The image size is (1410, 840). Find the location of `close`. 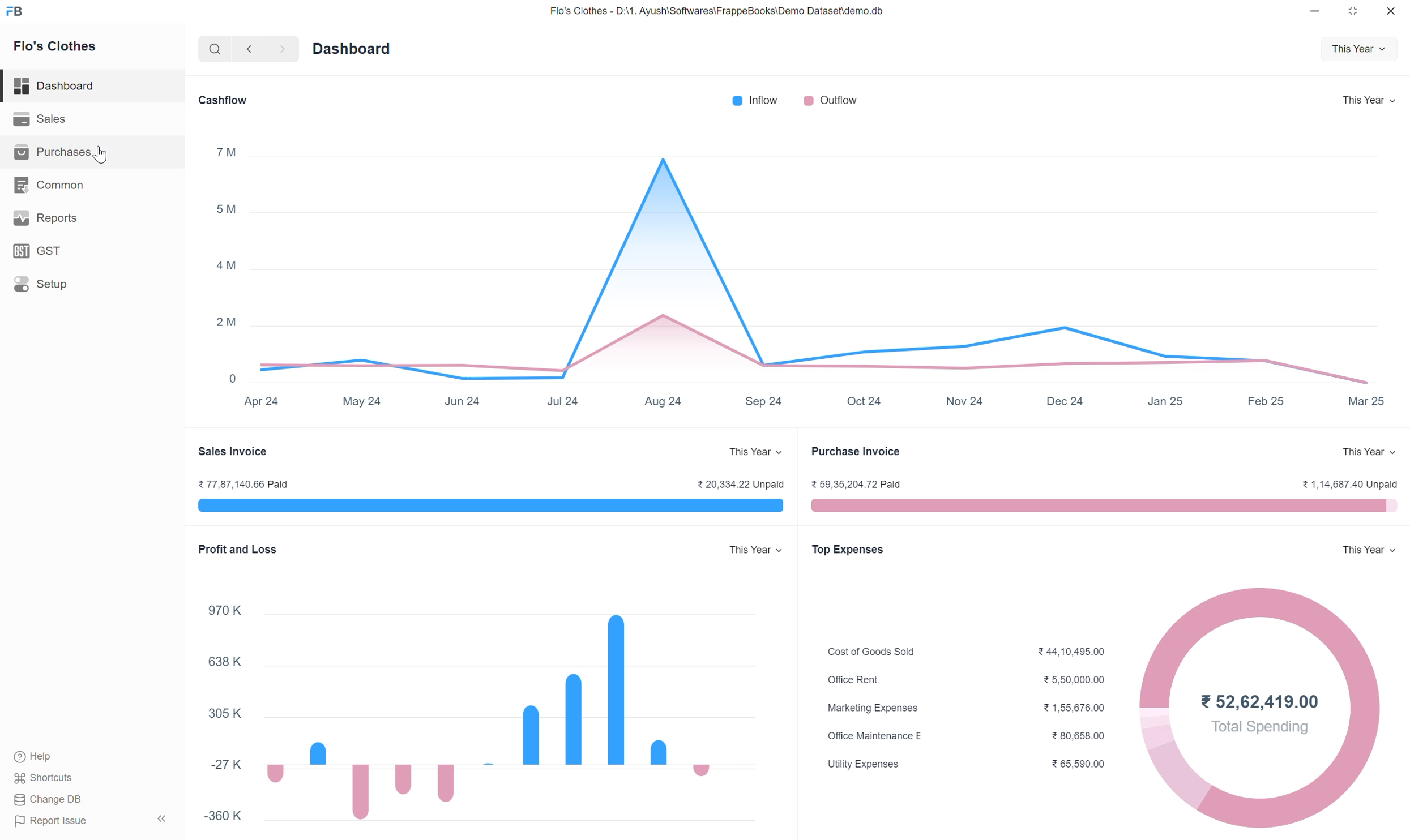

close is located at coordinates (1394, 10).